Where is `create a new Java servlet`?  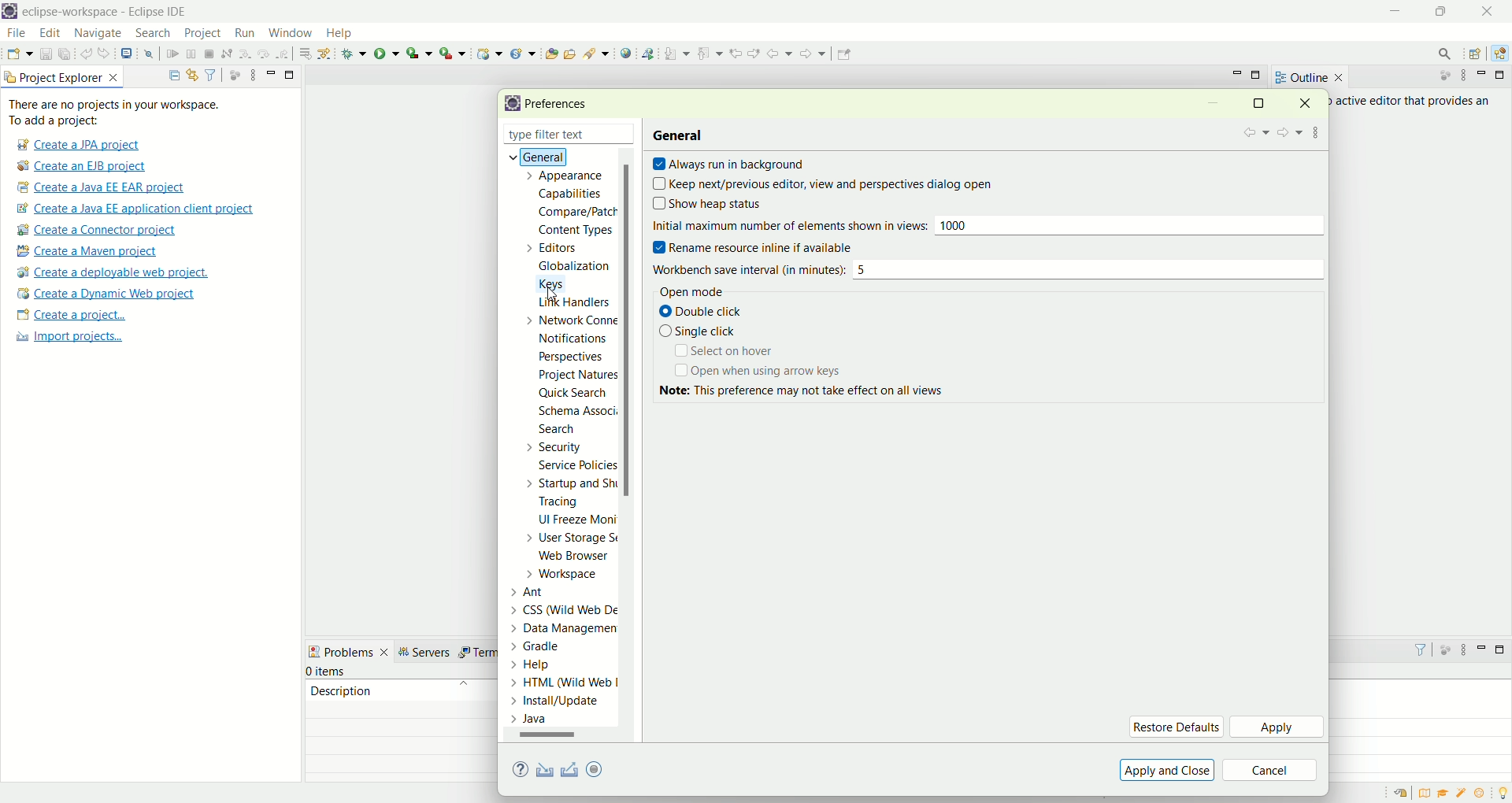
create a new Java servlet is located at coordinates (527, 54).